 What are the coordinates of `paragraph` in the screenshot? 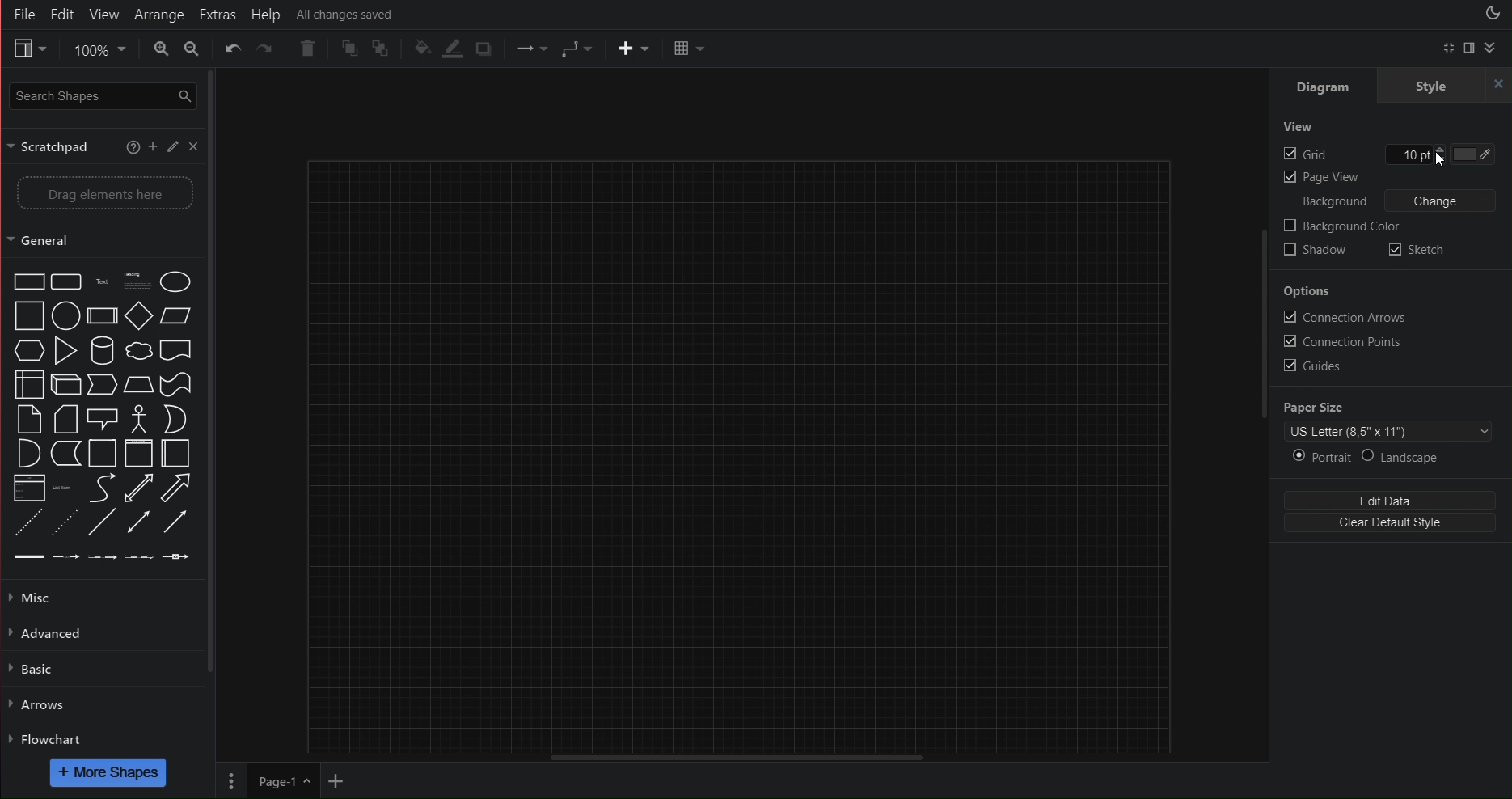 It's located at (24, 486).